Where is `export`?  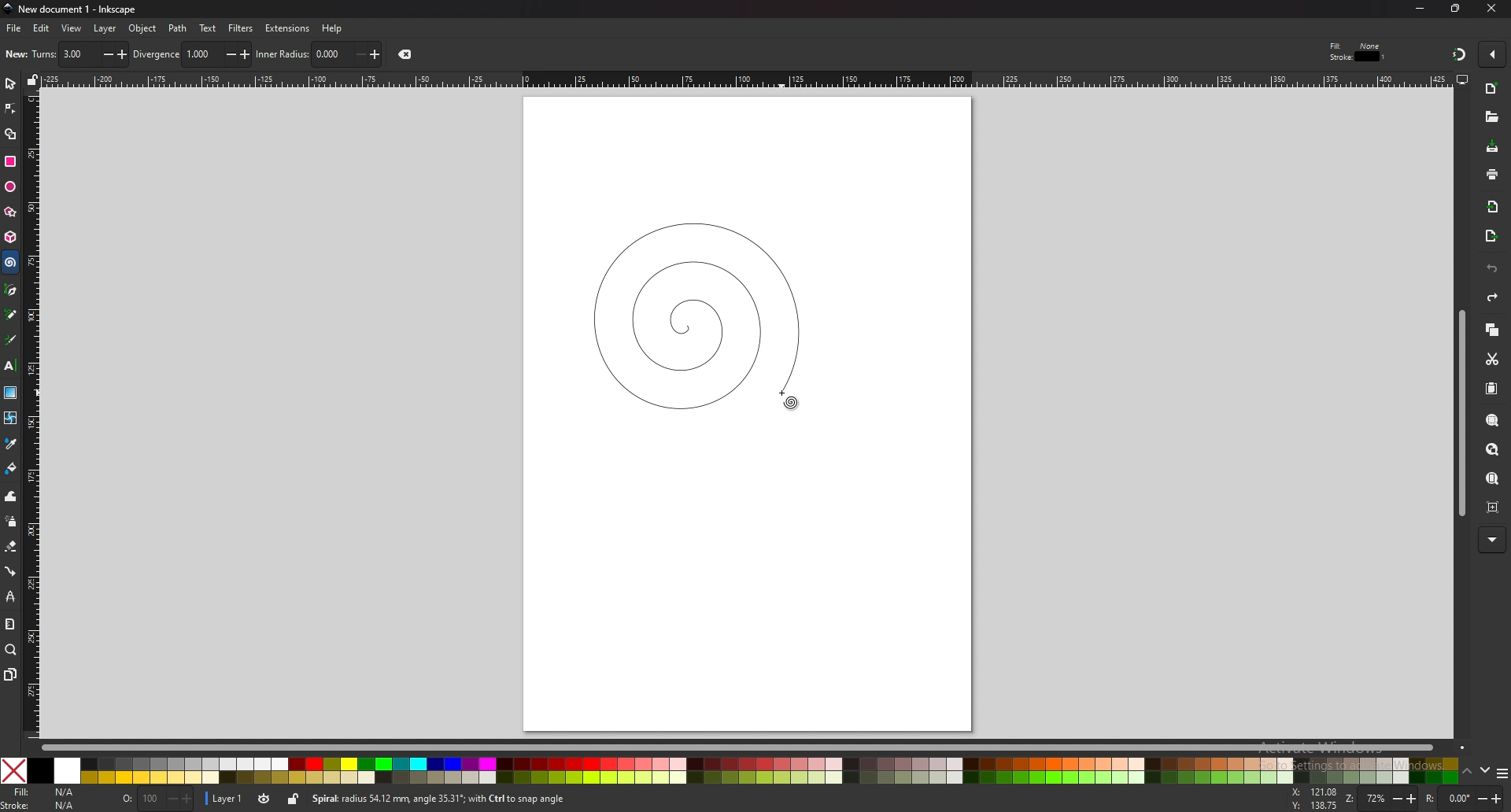 export is located at coordinates (1490, 236).